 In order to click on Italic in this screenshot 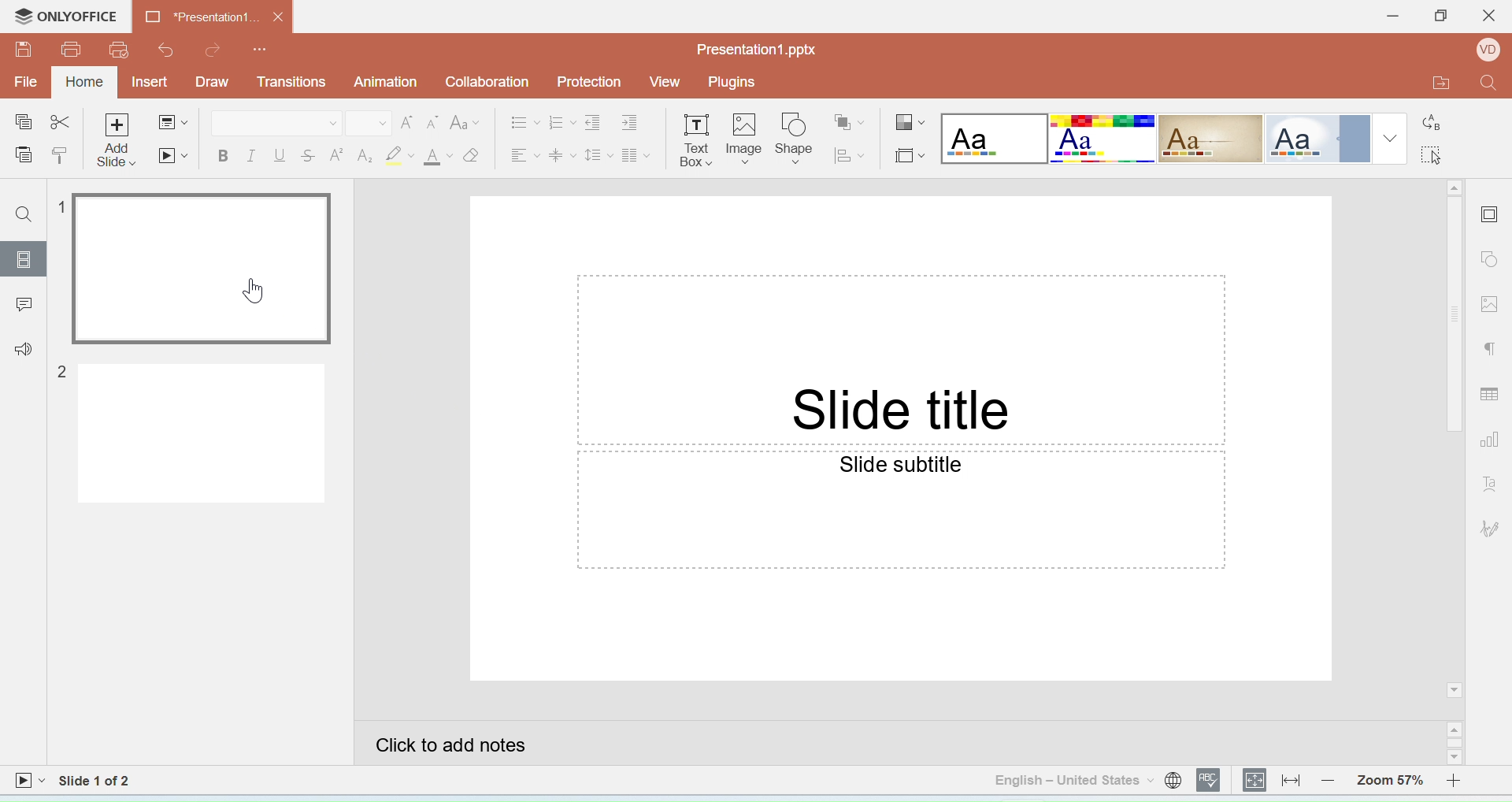, I will do `click(250, 157)`.